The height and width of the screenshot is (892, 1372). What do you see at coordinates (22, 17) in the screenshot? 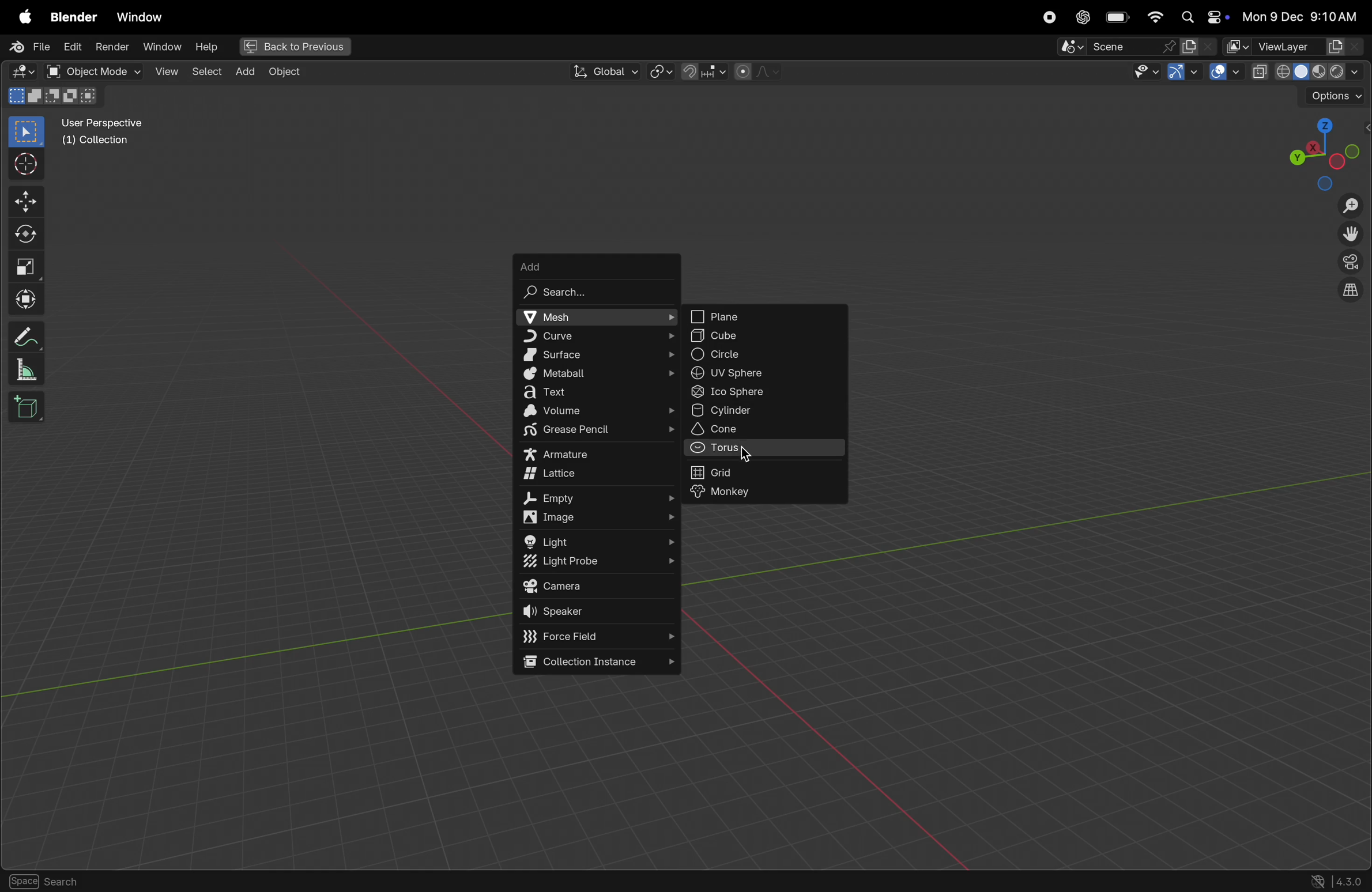
I see `apple menu` at bounding box center [22, 17].